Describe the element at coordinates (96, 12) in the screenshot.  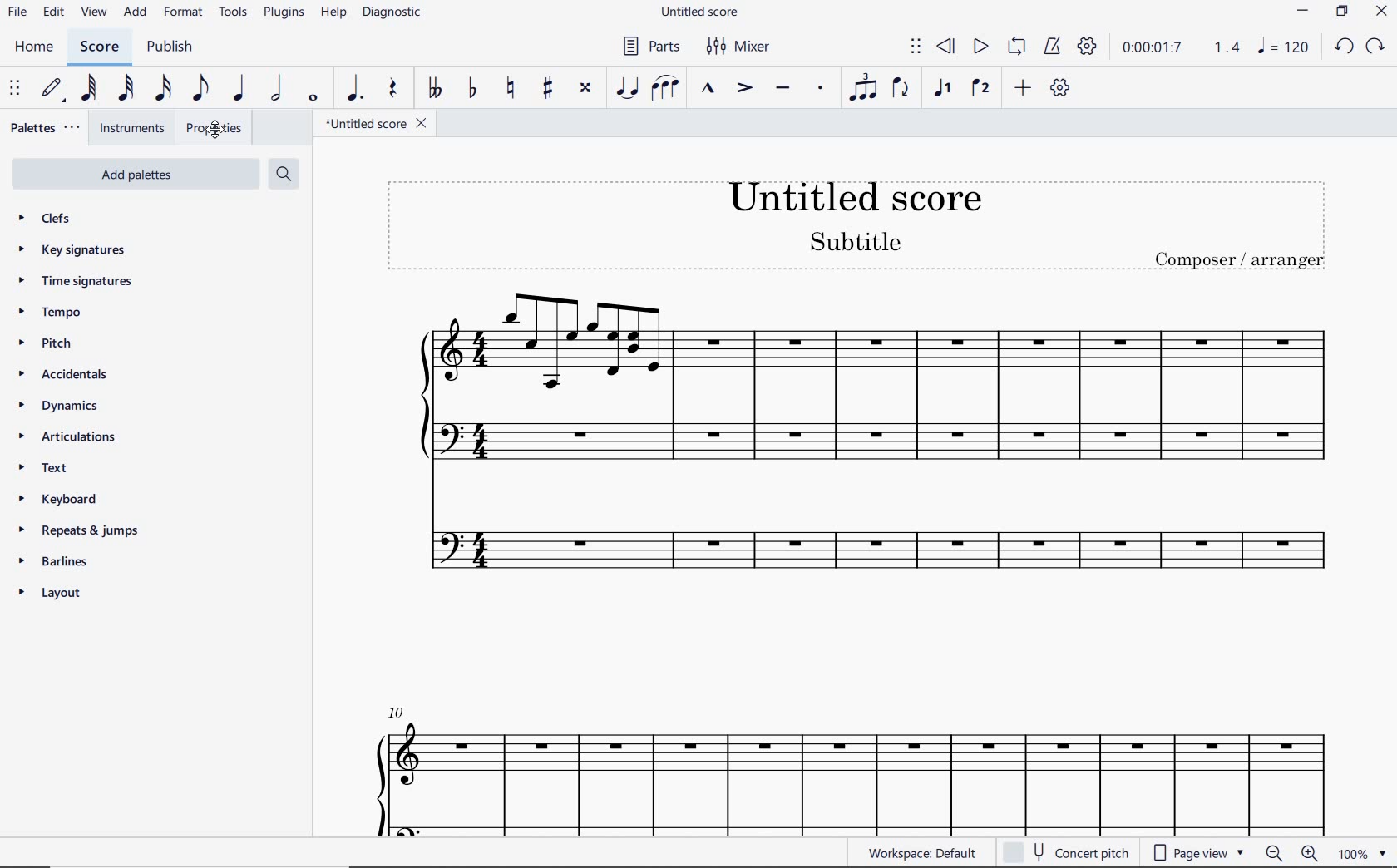
I see `VIEW` at that location.